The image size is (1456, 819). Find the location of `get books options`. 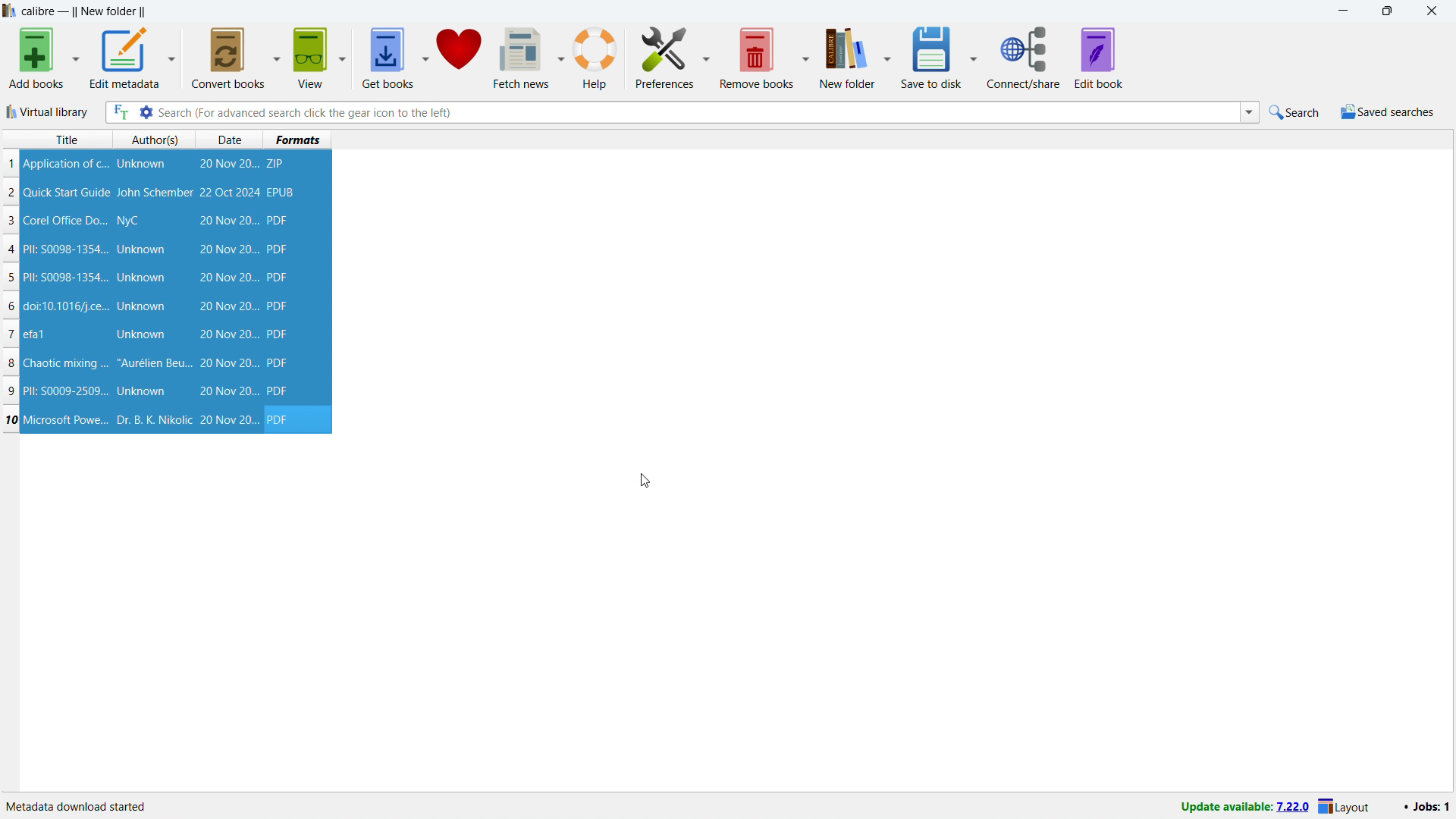

get books options is located at coordinates (425, 57).